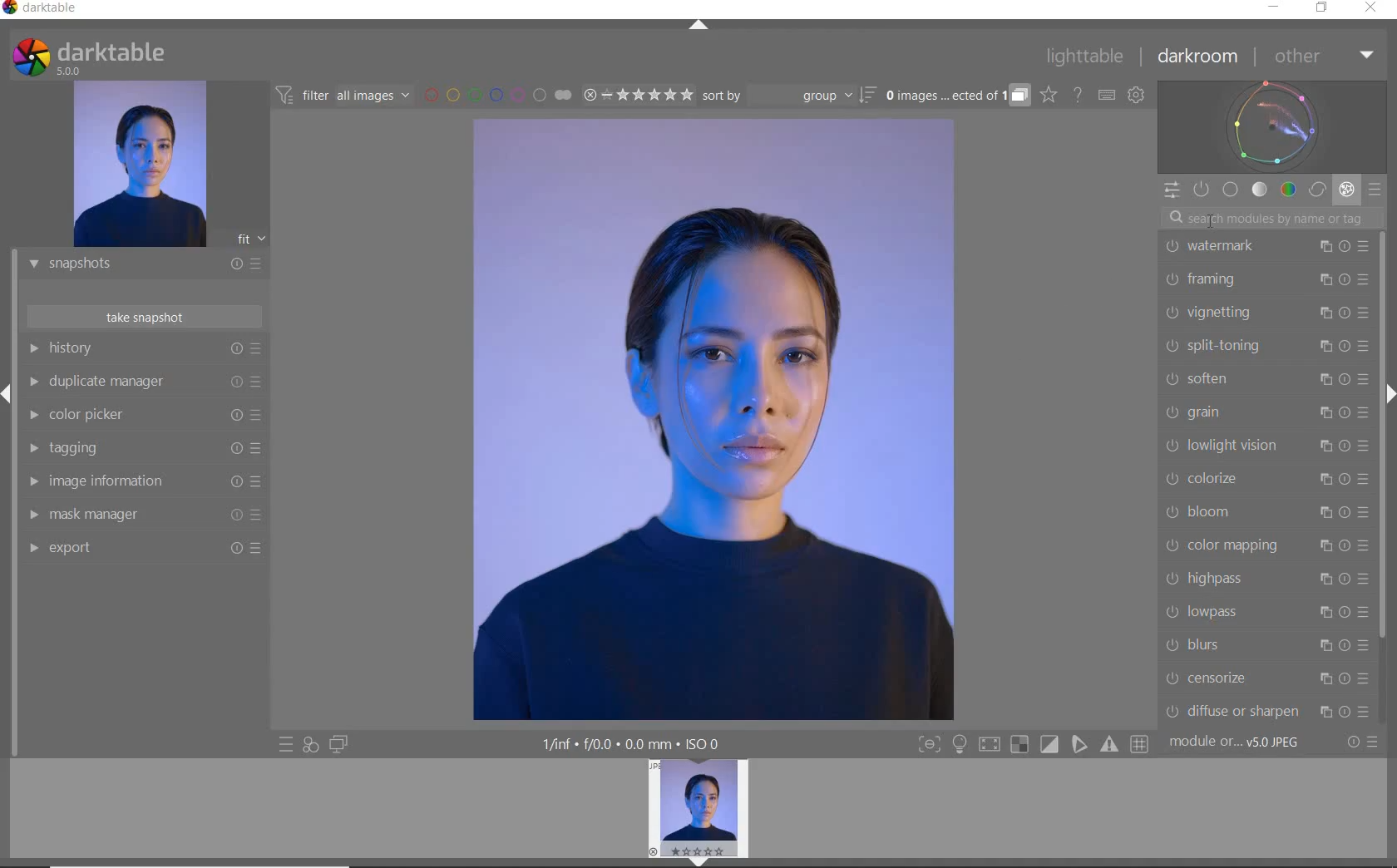 This screenshot has height=868, width=1397. What do you see at coordinates (1080, 744) in the screenshot?
I see `Button` at bounding box center [1080, 744].